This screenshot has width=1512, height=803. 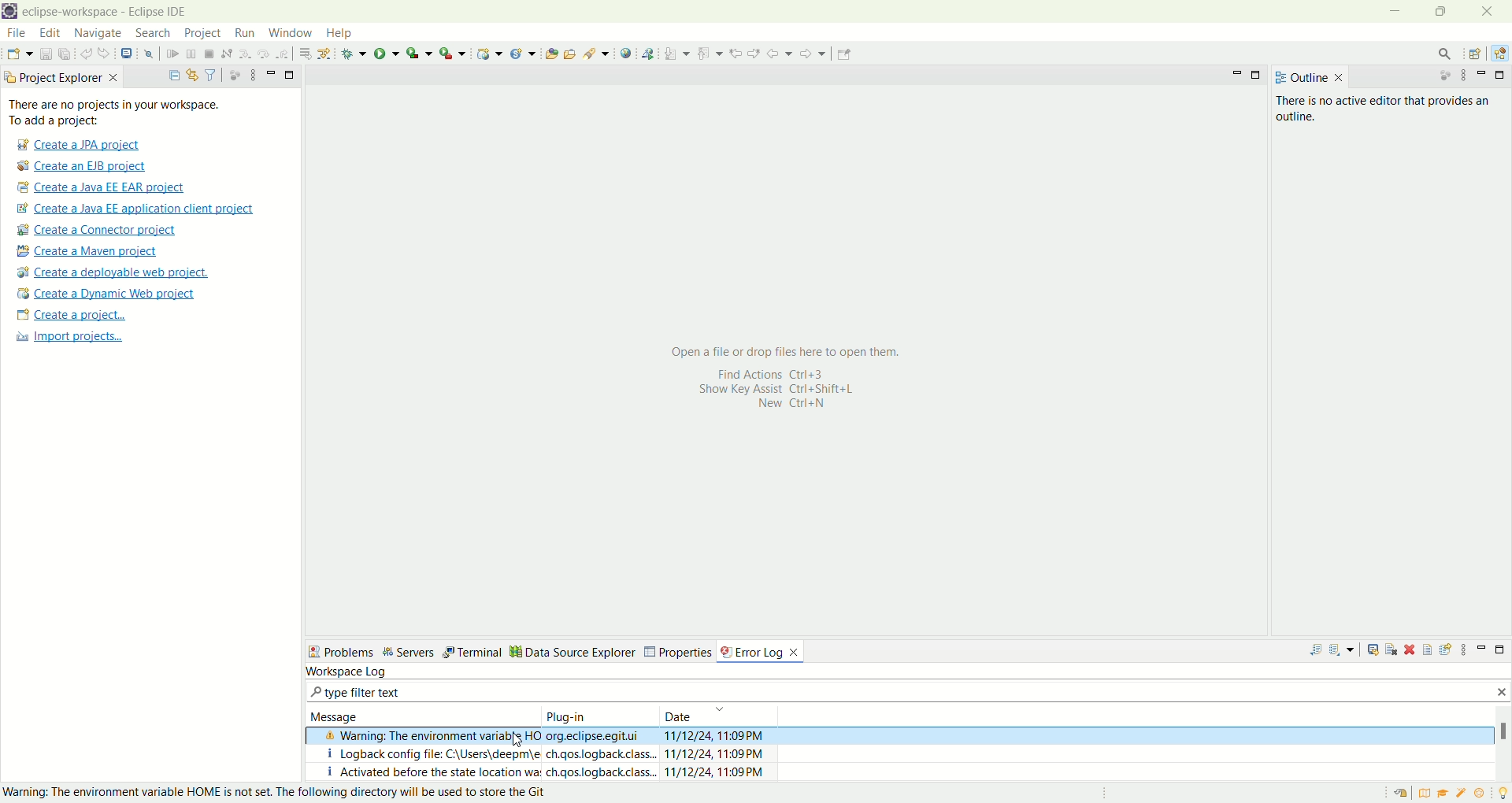 I want to click on create a JPA project, so click(x=76, y=146).